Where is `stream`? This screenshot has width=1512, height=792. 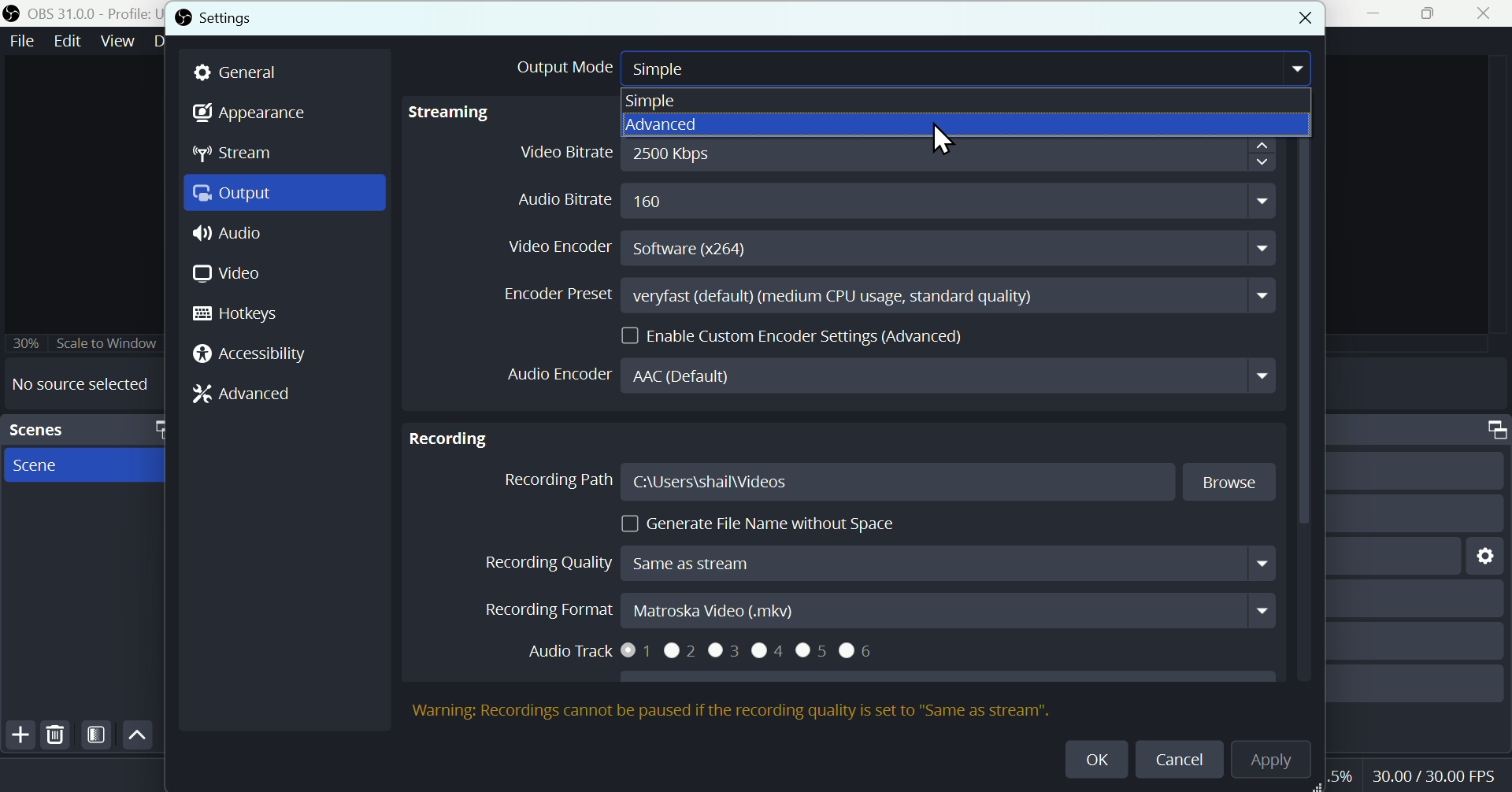 stream is located at coordinates (234, 152).